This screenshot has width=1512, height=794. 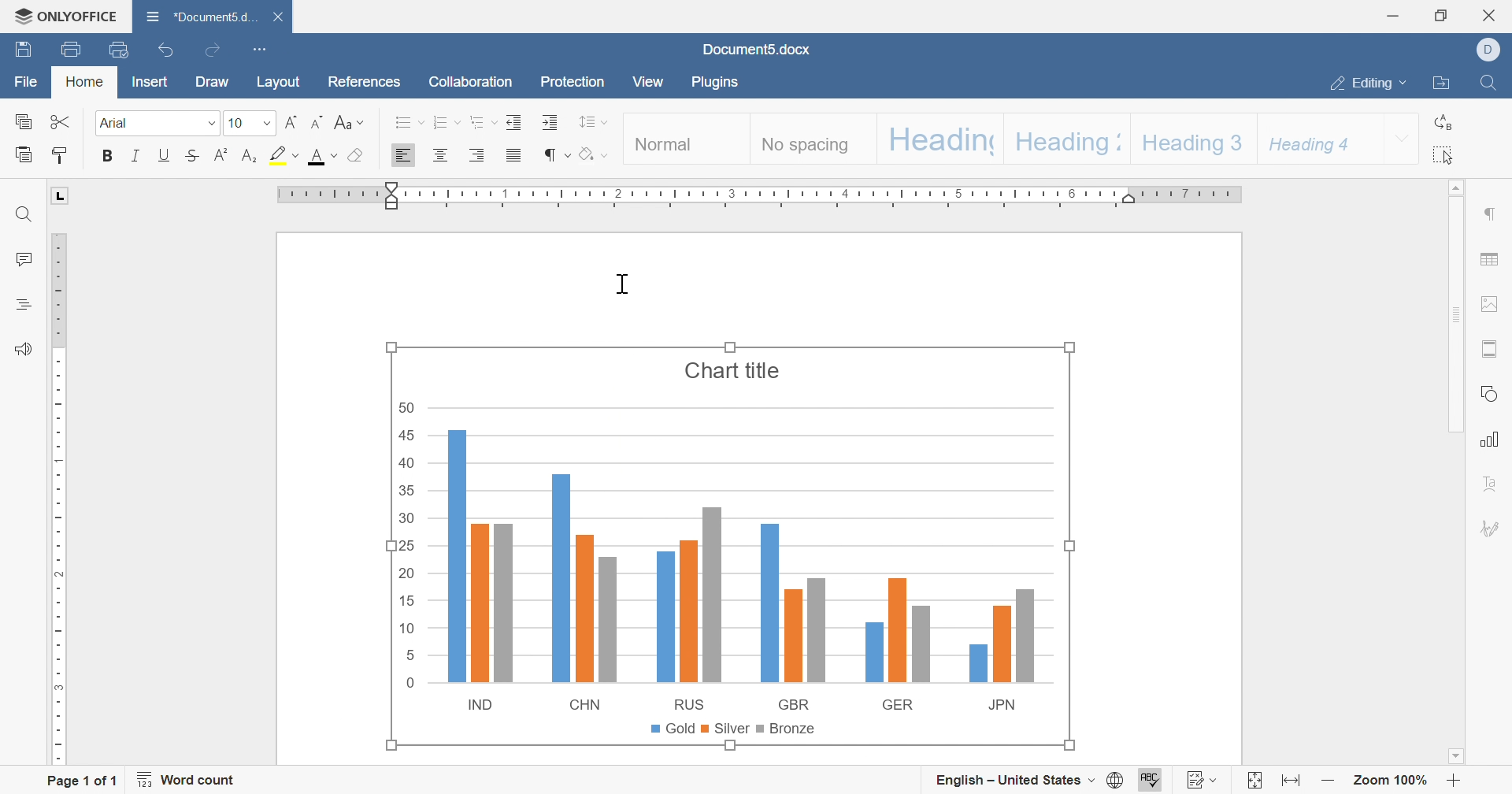 What do you see at coordinates (1488, 83) in the screenshot?
I see `find` at bounding box center [1488, 83].